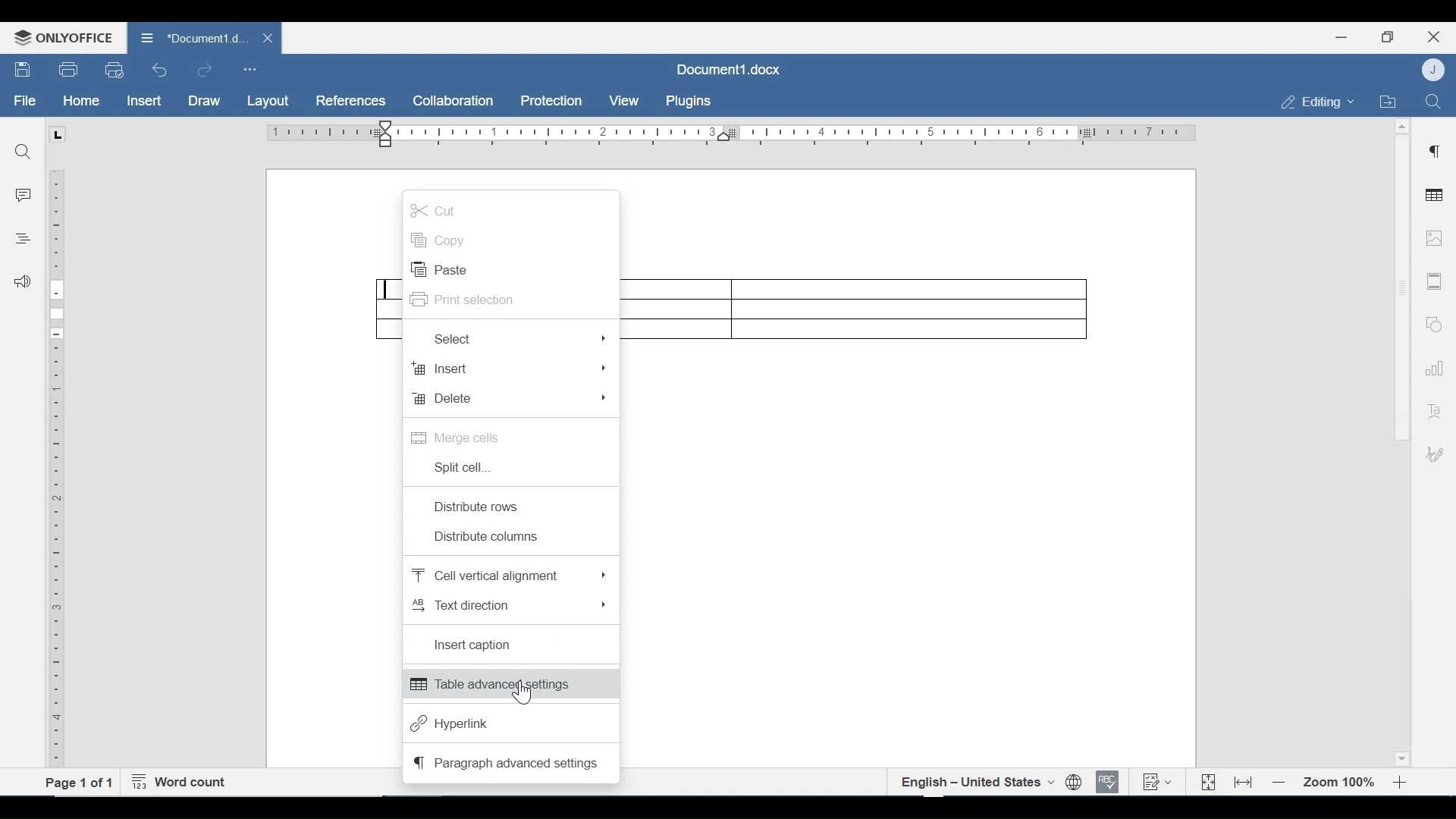  What do you see at coordinates (1156, 781) in the screenshot?
I see `Track Changes` at bounding box center [1156, 781].